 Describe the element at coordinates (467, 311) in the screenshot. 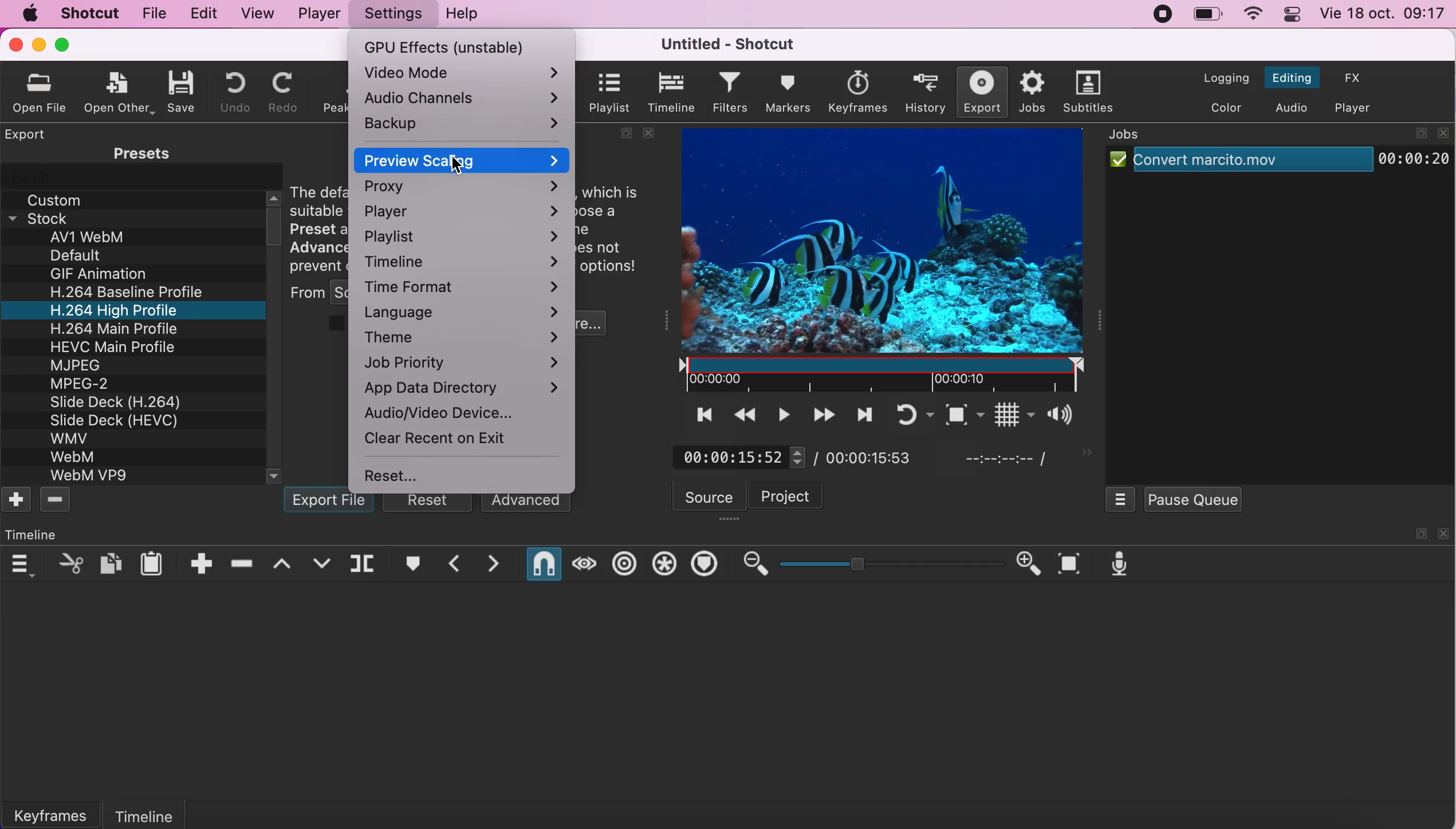

I see `language` at that location.